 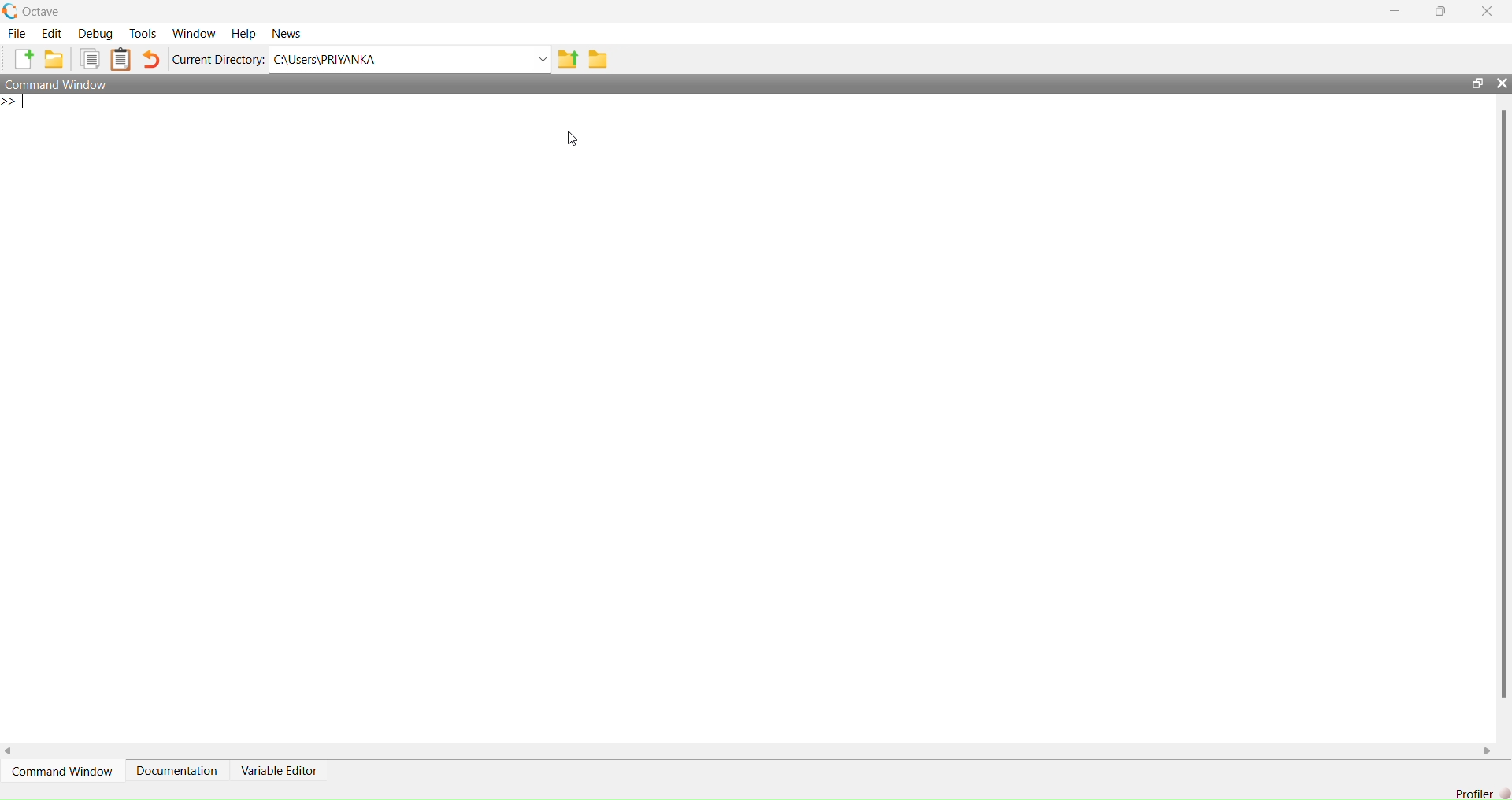 I want to click on add file, so click(x=24, y=59).